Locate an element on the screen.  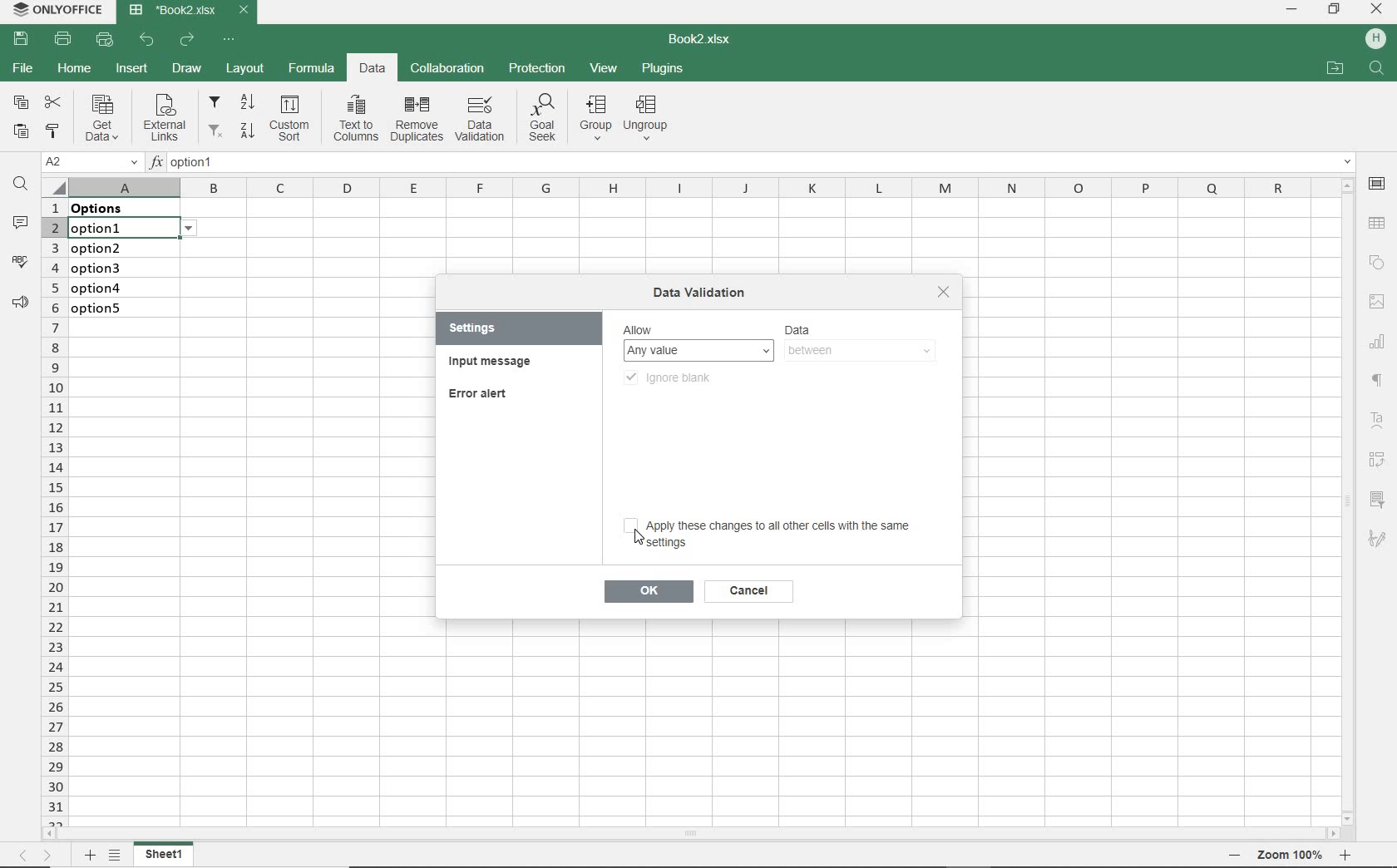
HP is located at coordinates (1377, 40).